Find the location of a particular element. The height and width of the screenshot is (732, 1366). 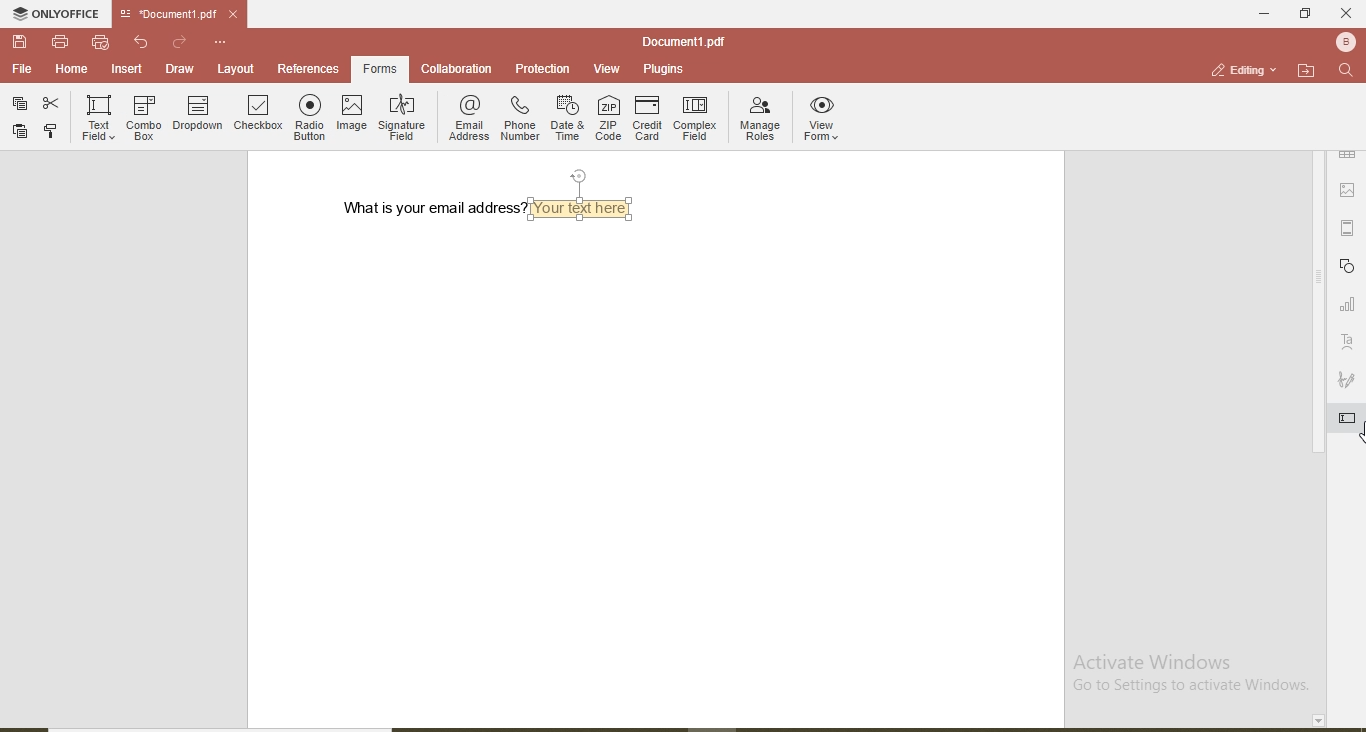

customise quick access toolbar is located at coordinates (222, 41).